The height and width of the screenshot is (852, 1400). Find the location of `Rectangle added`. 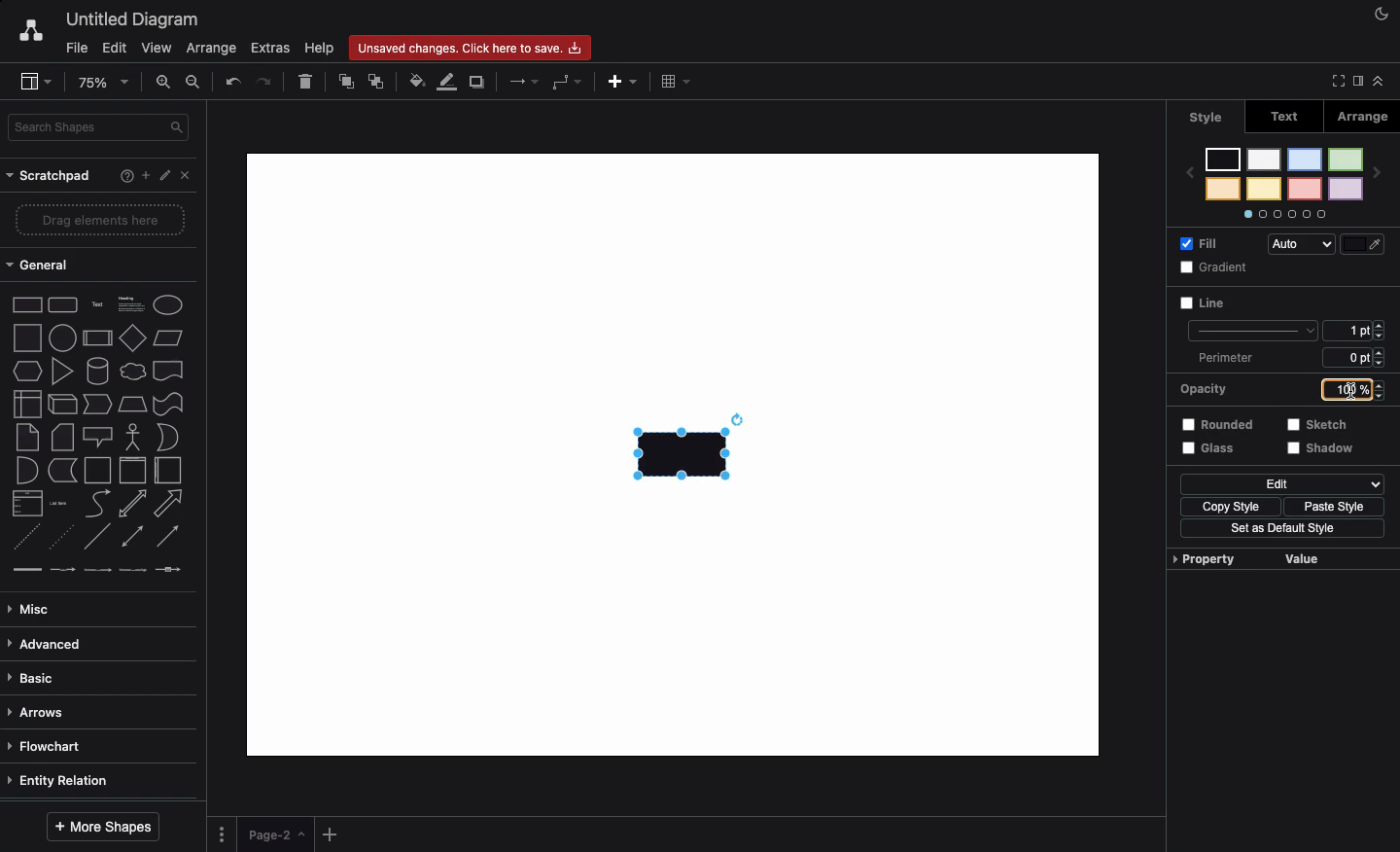

Rectangle added is located at coordinates (685, 451).